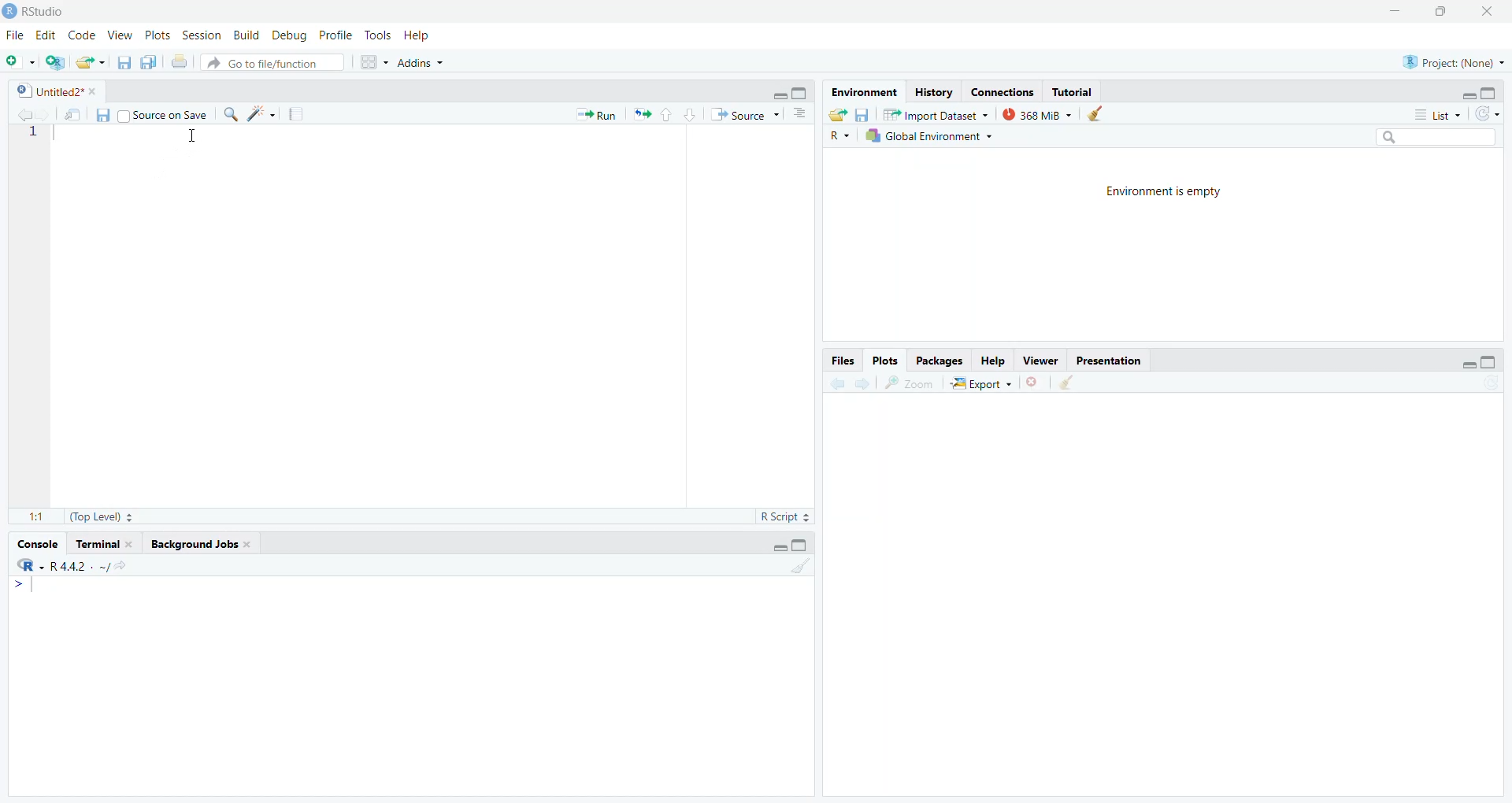  I want to click on zoom, so click(909, 383).